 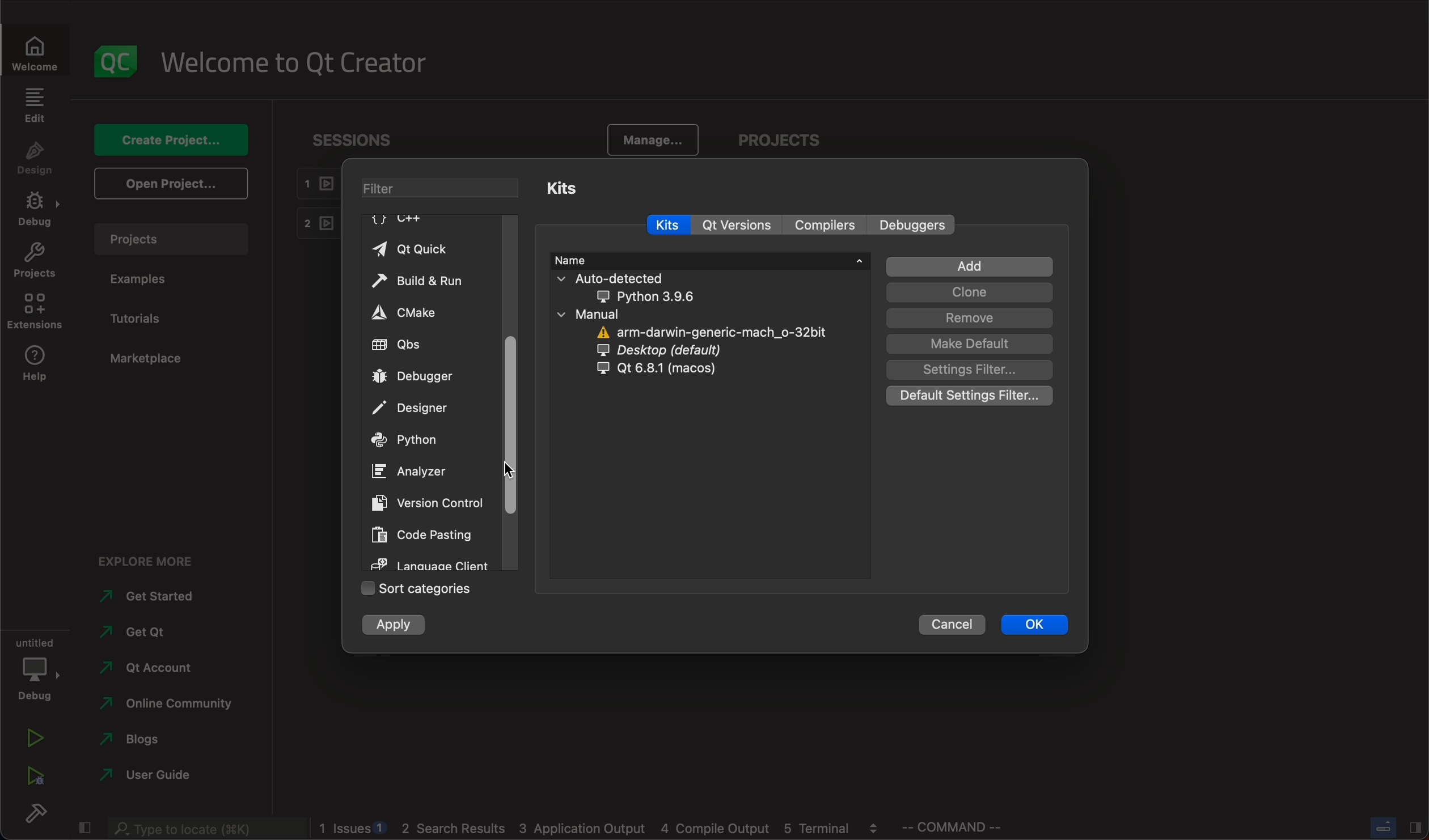 What do you see at coordinates (33, 311) in the screenshot?
I see `extenstions` at bounding box center [33, 311].